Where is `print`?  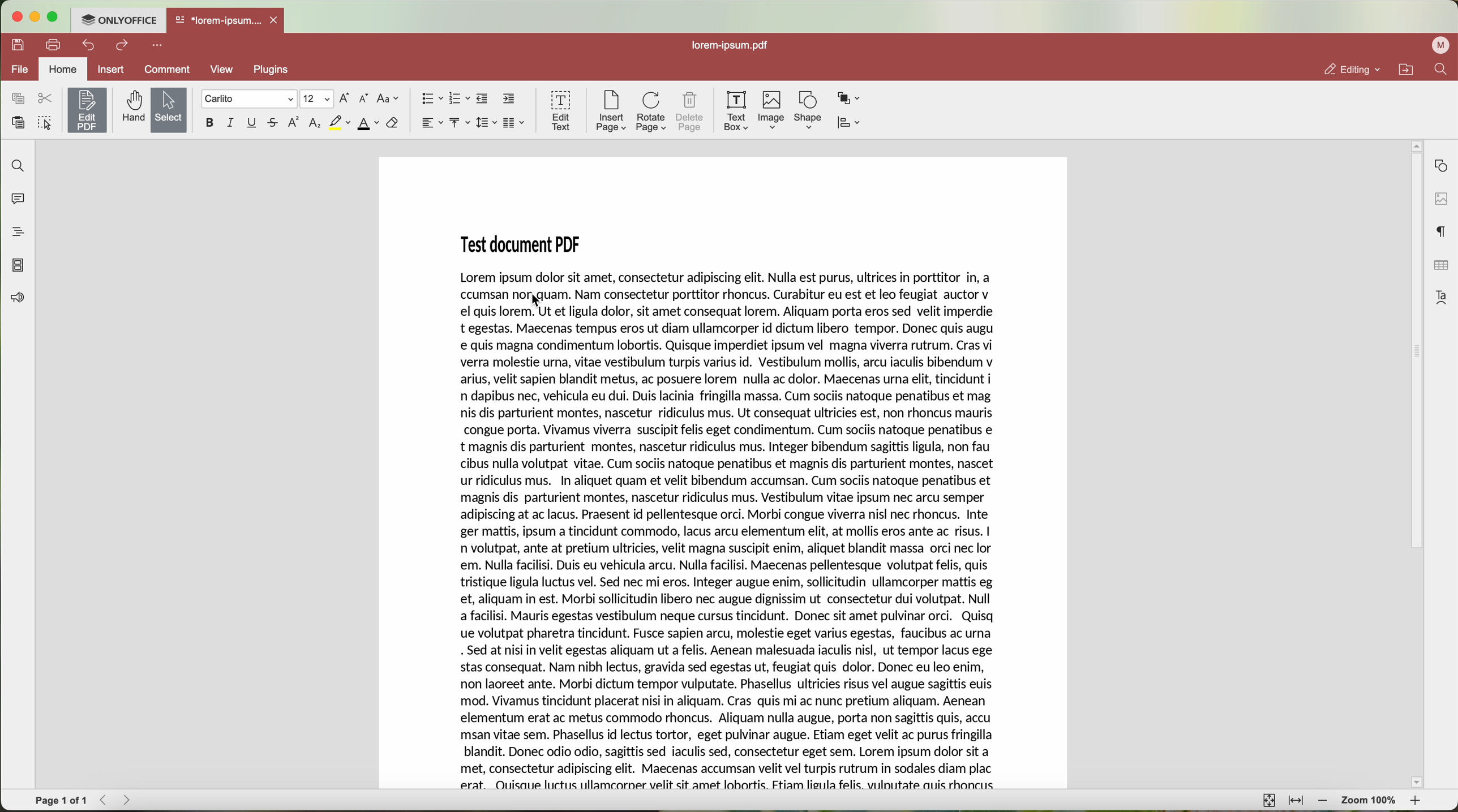
print is located at coordinates (56, 45).